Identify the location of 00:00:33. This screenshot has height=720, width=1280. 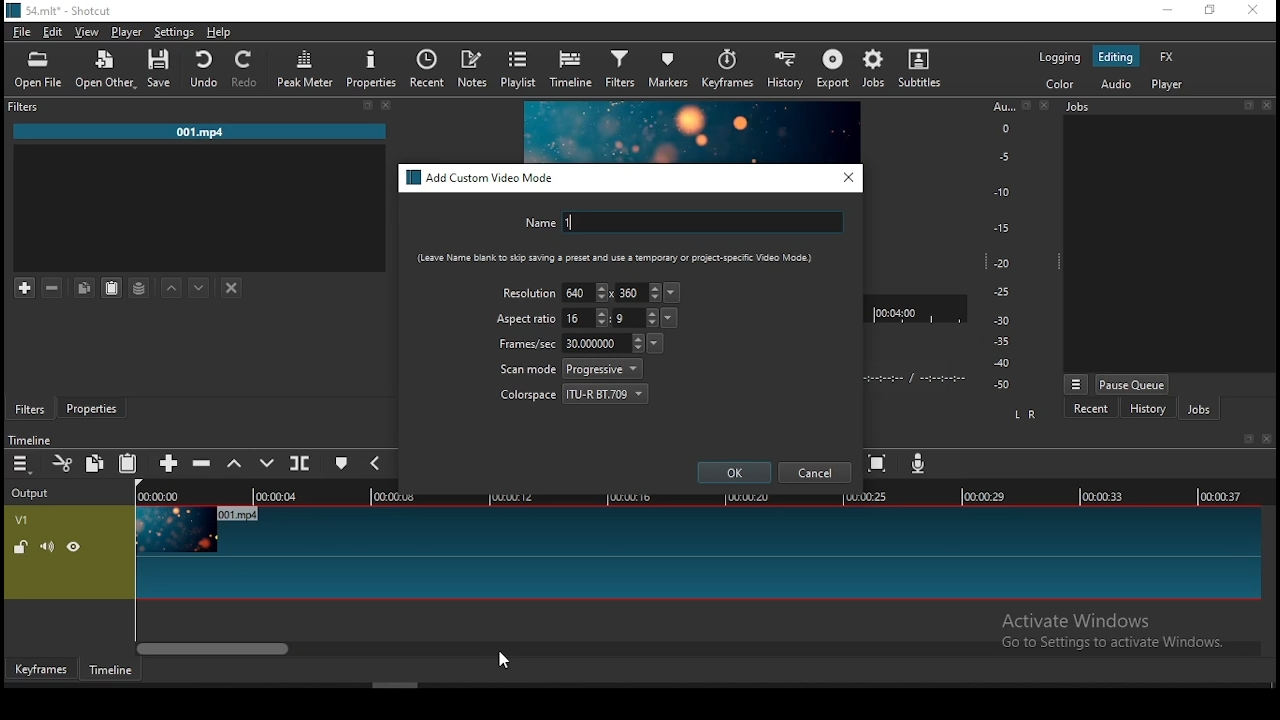
(1103, 495).